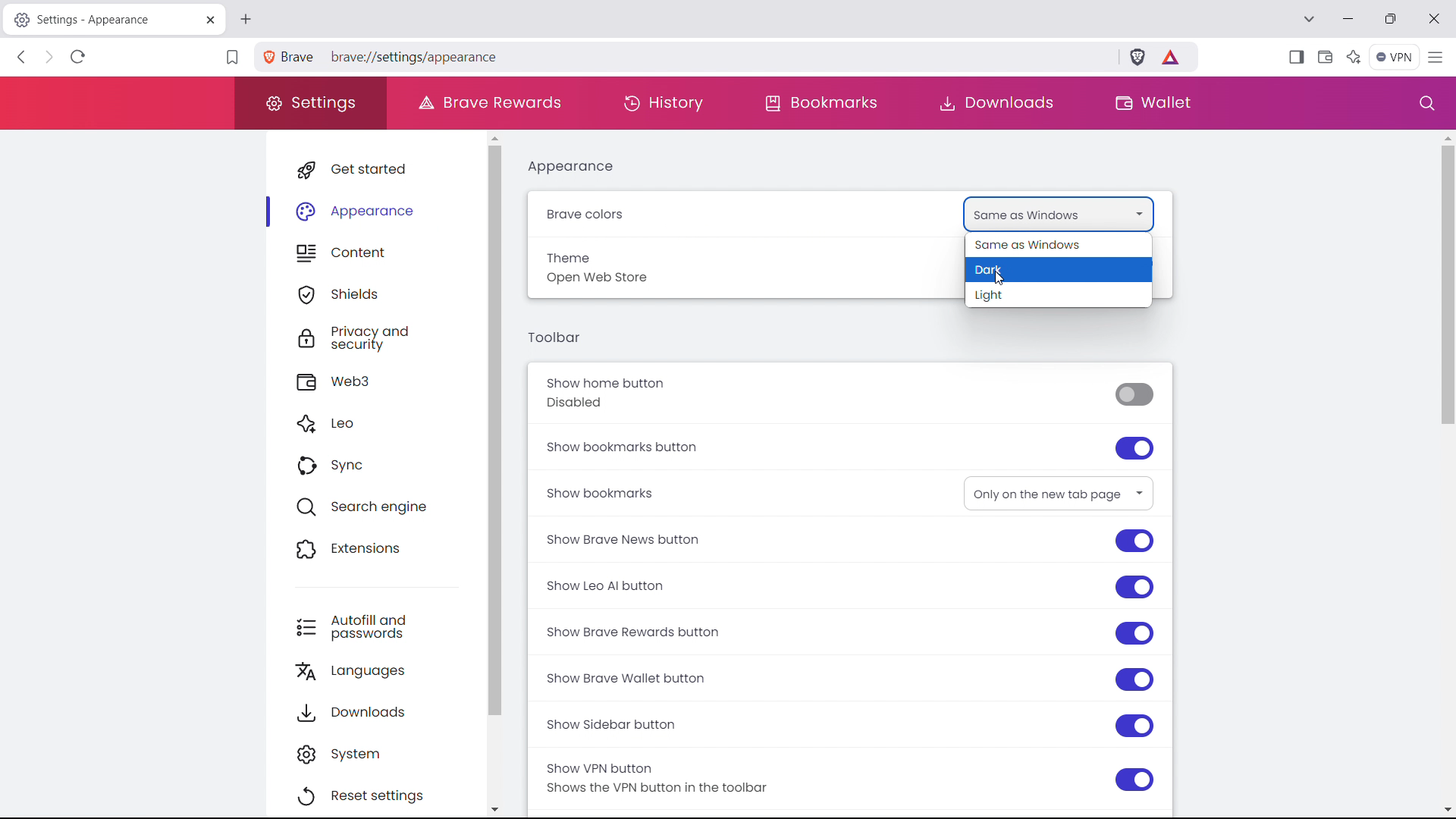 The width and height of the screenshot is (1456, 819). I want to click on history, so click(666, 104).